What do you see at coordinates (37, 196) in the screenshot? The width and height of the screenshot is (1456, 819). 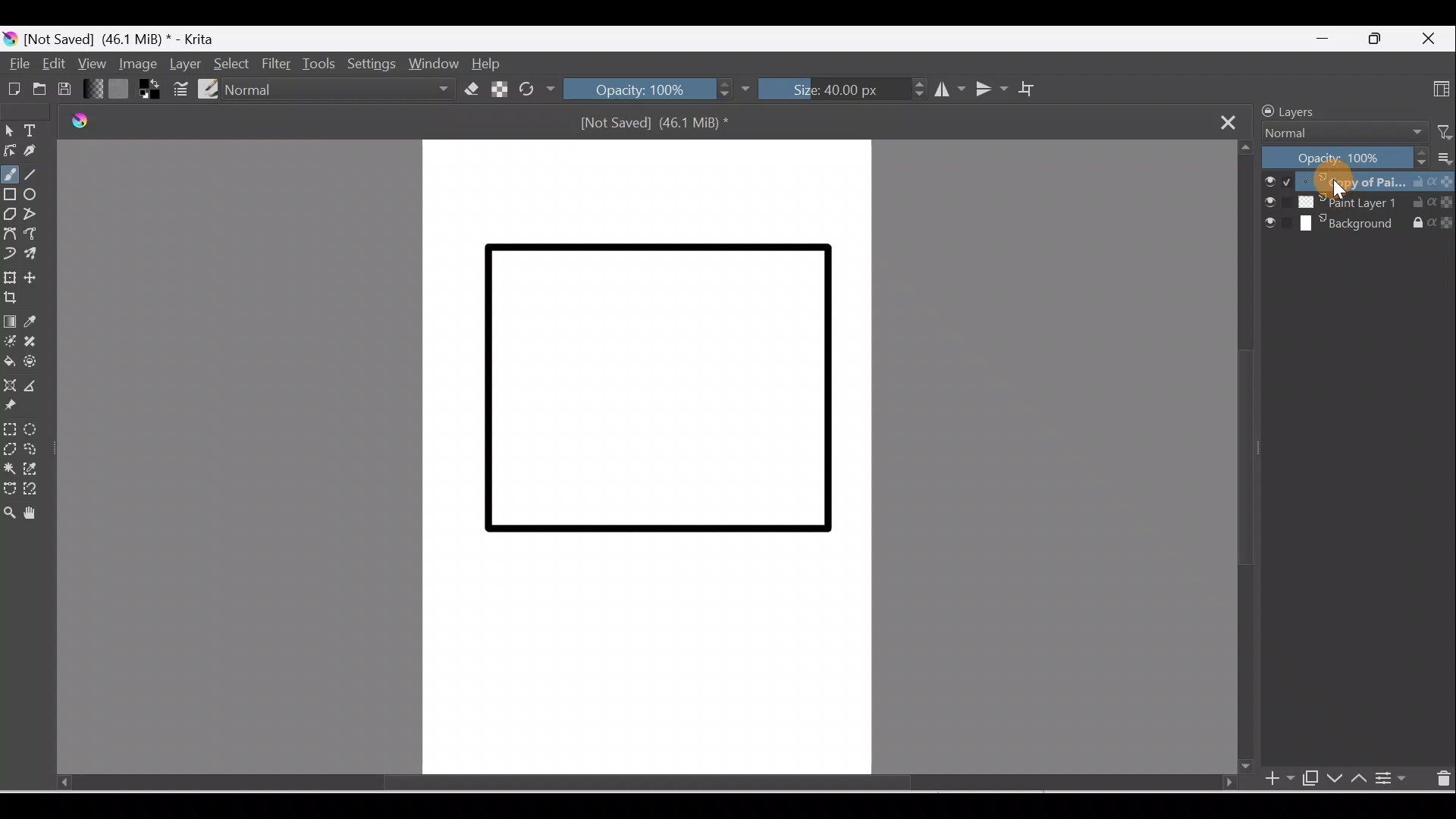 I see `Ellipse tool` at bounding box center [37, 196].